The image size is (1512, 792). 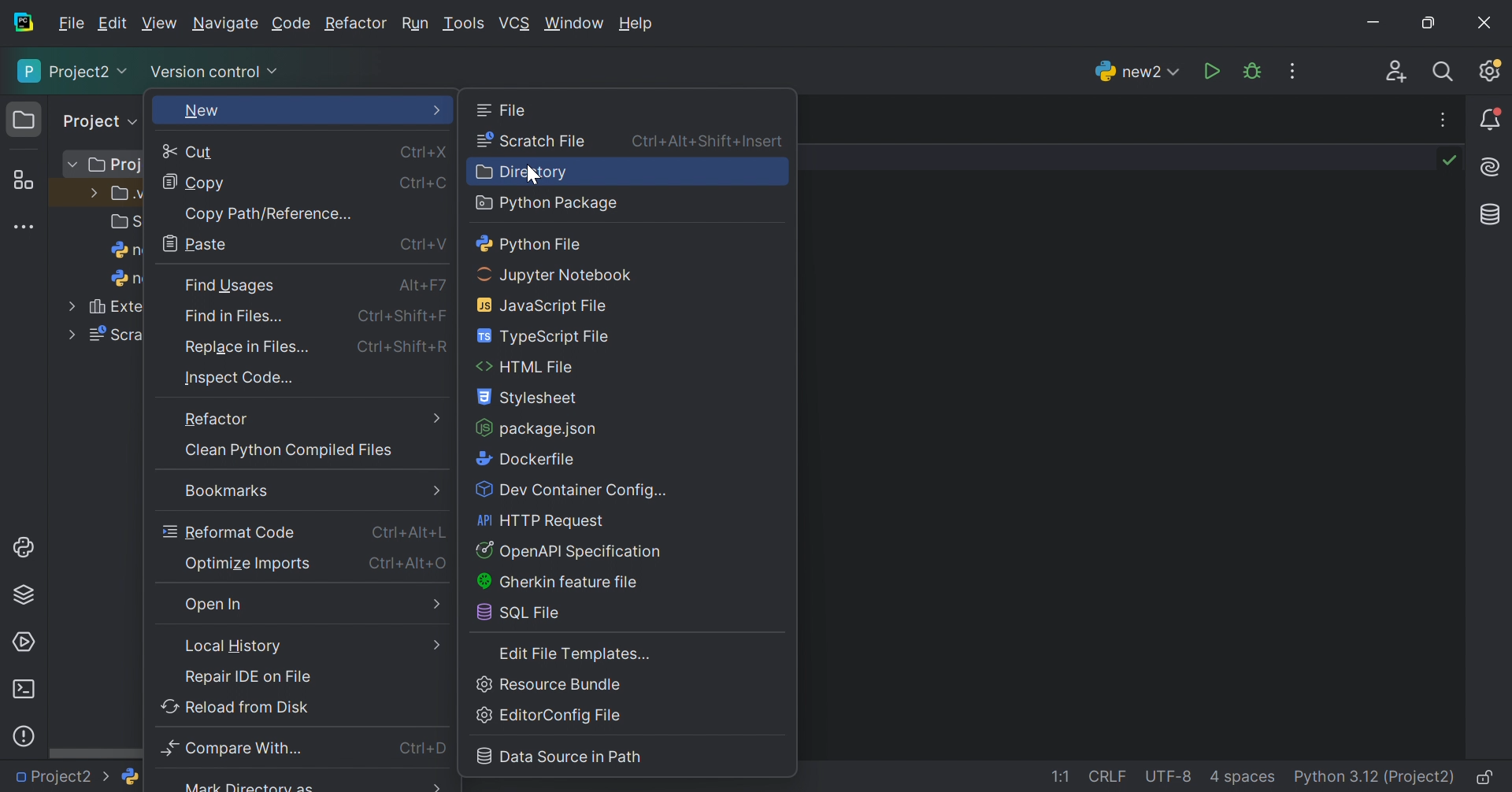 I want to click on Jupyter notebook, so click(x=556, y=275).